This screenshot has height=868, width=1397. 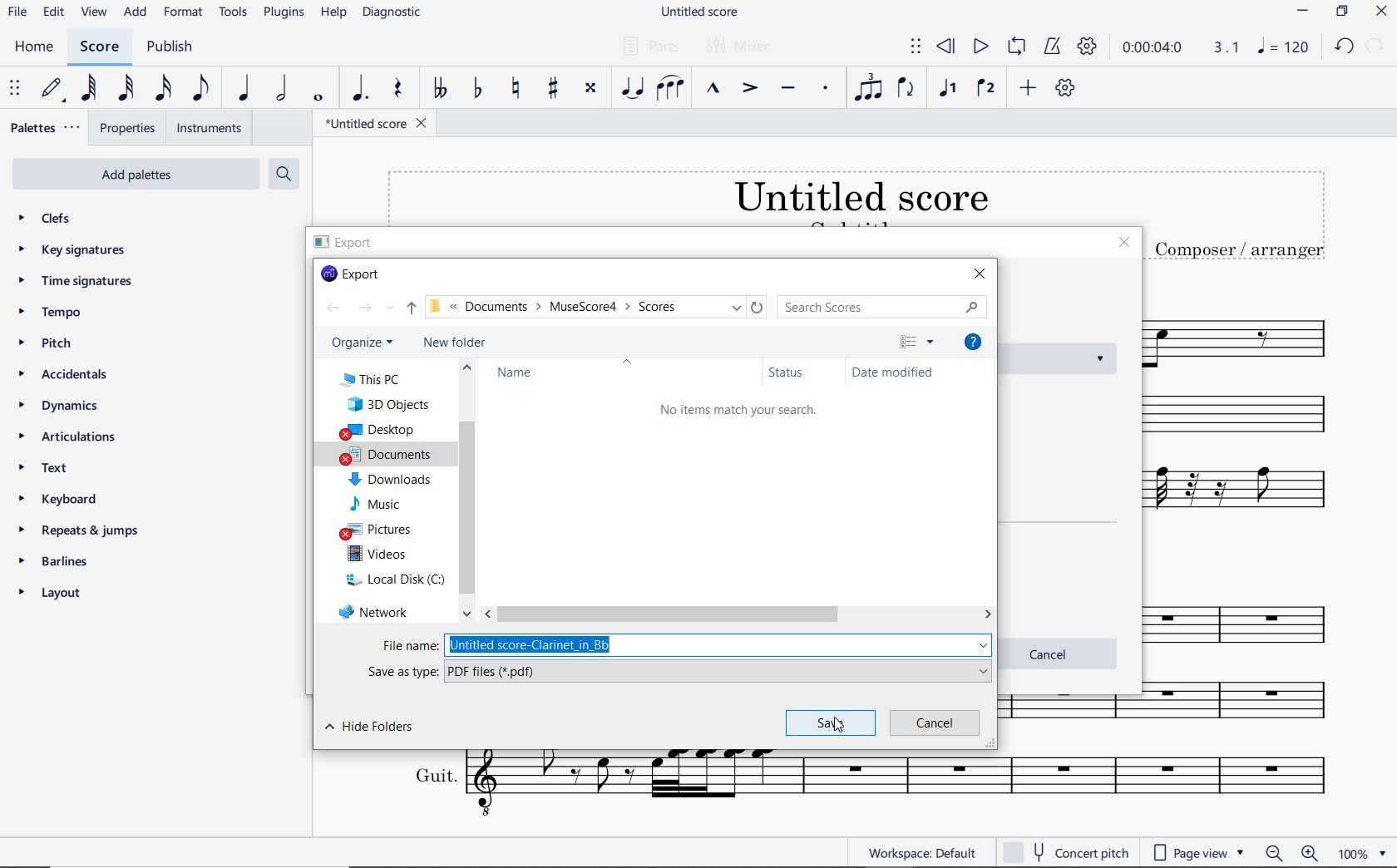 I want to click on ADD, so click(x=1030, y=87).